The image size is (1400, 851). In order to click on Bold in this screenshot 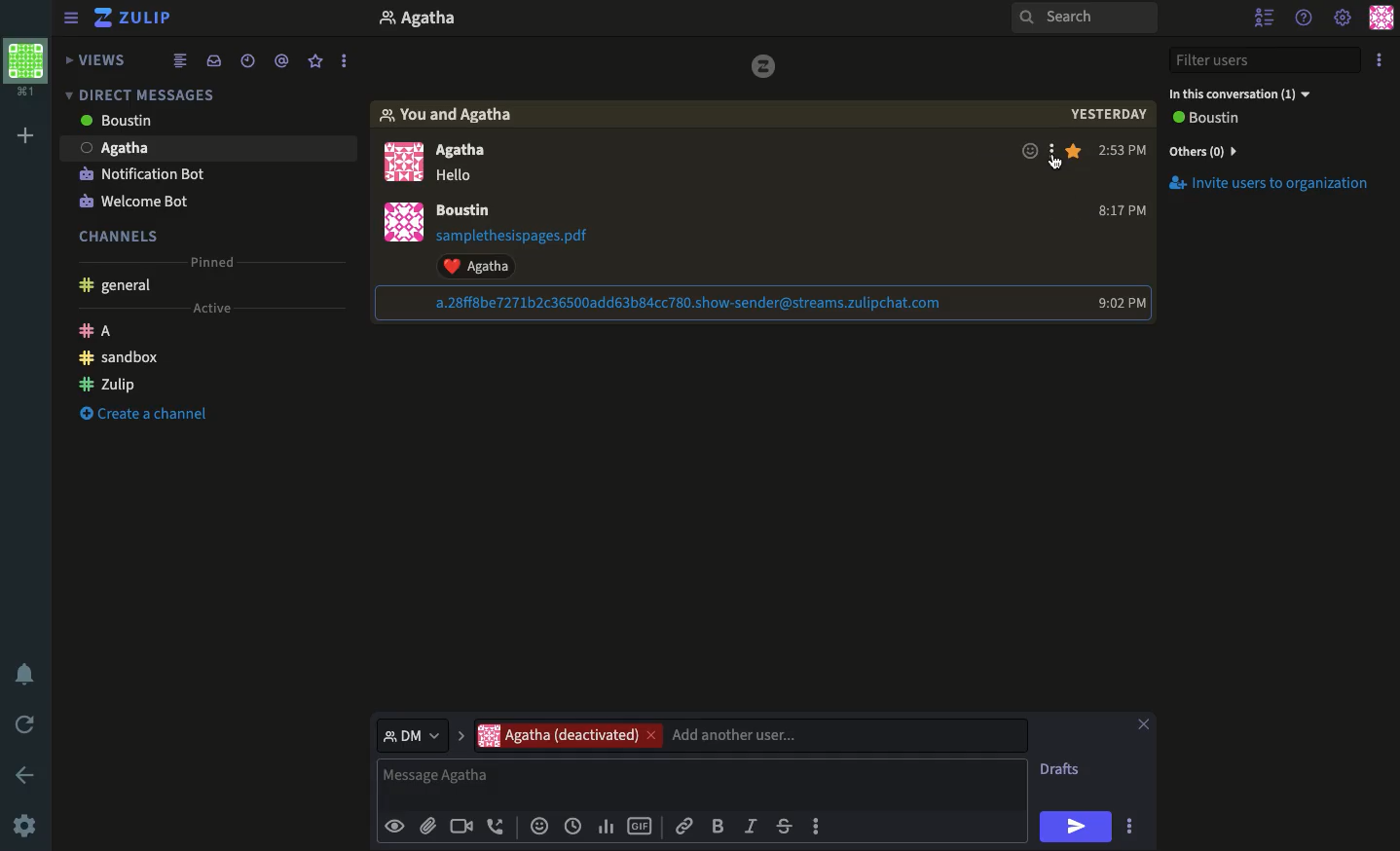, I will do `click(718, 825)`.